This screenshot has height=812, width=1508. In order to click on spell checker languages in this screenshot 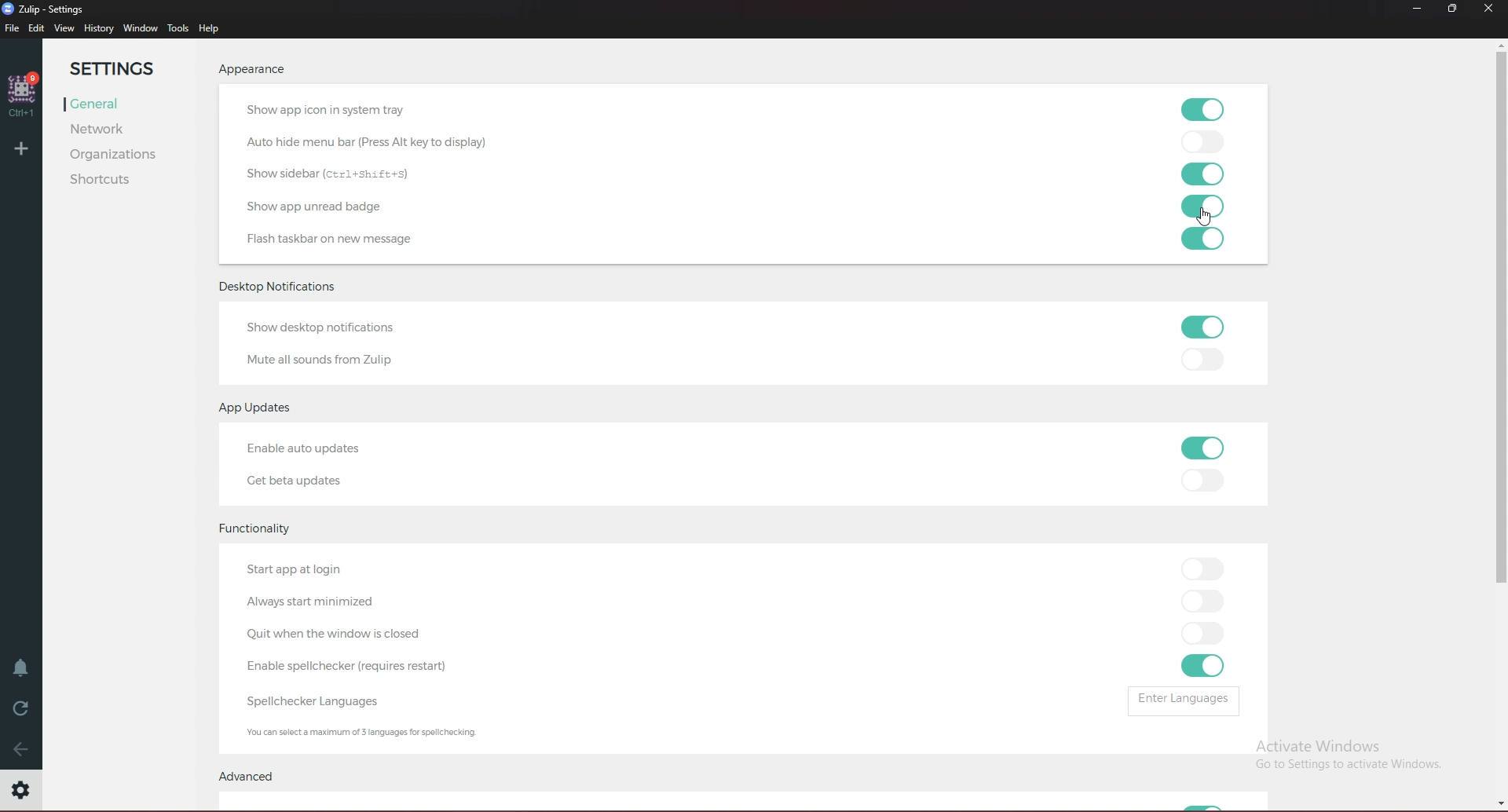, I will do `click(326, 702)`.